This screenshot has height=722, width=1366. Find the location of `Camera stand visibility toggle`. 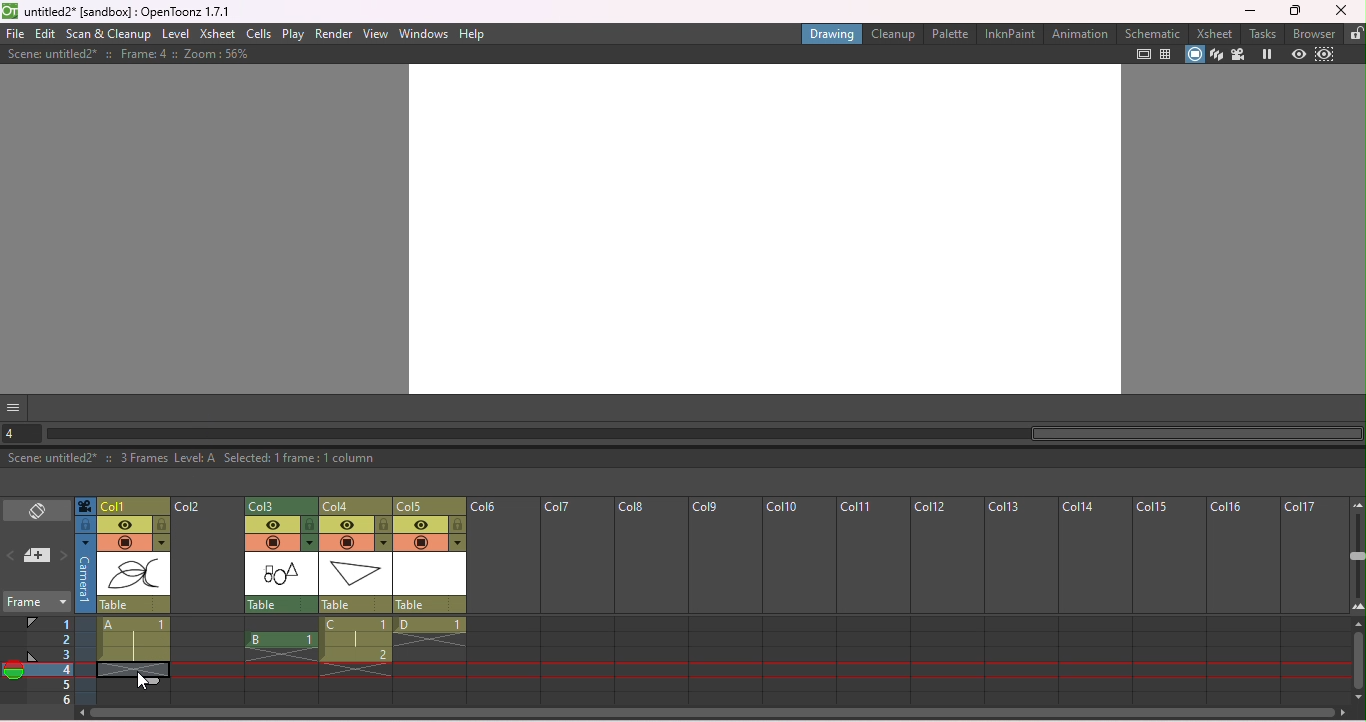

Camera stand visibility toggle is located at coordinates (124, 543).